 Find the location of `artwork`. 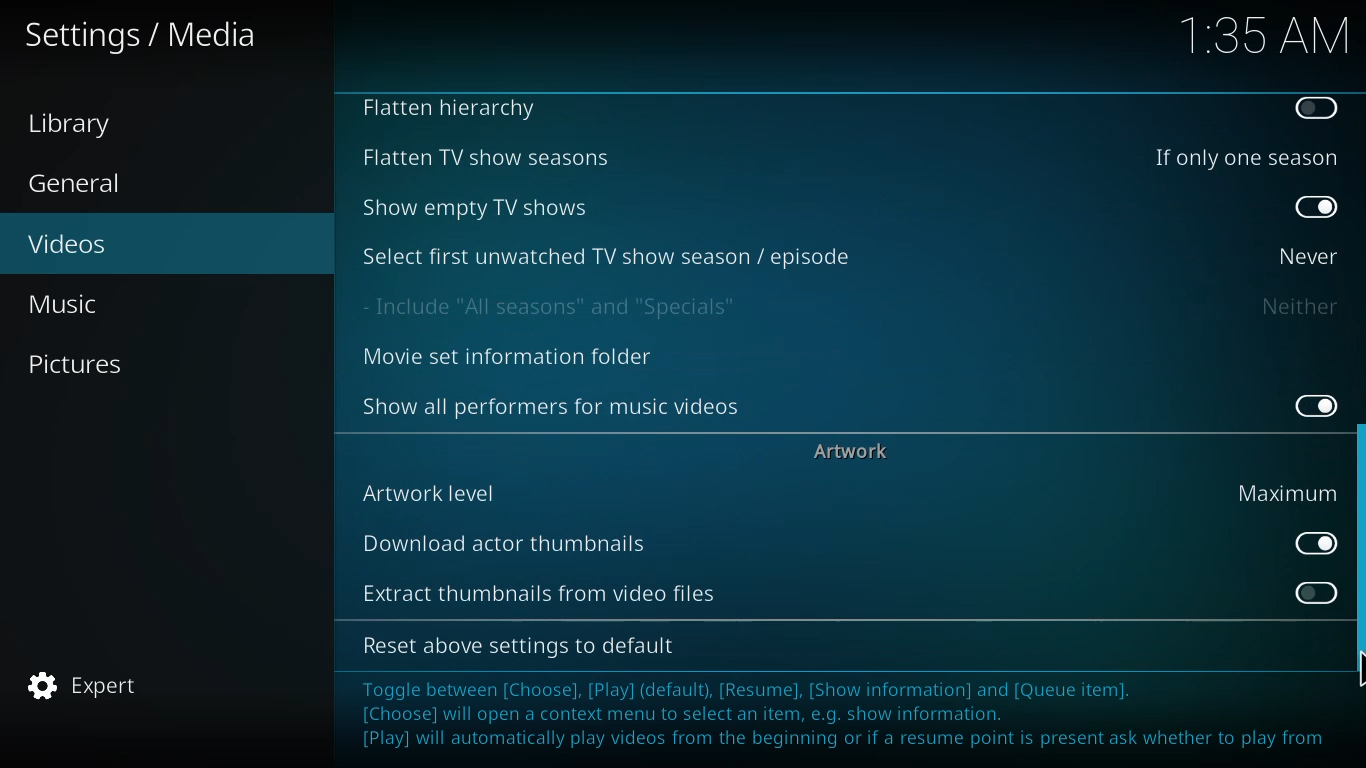

artwork is located at coordinates (854, 450).